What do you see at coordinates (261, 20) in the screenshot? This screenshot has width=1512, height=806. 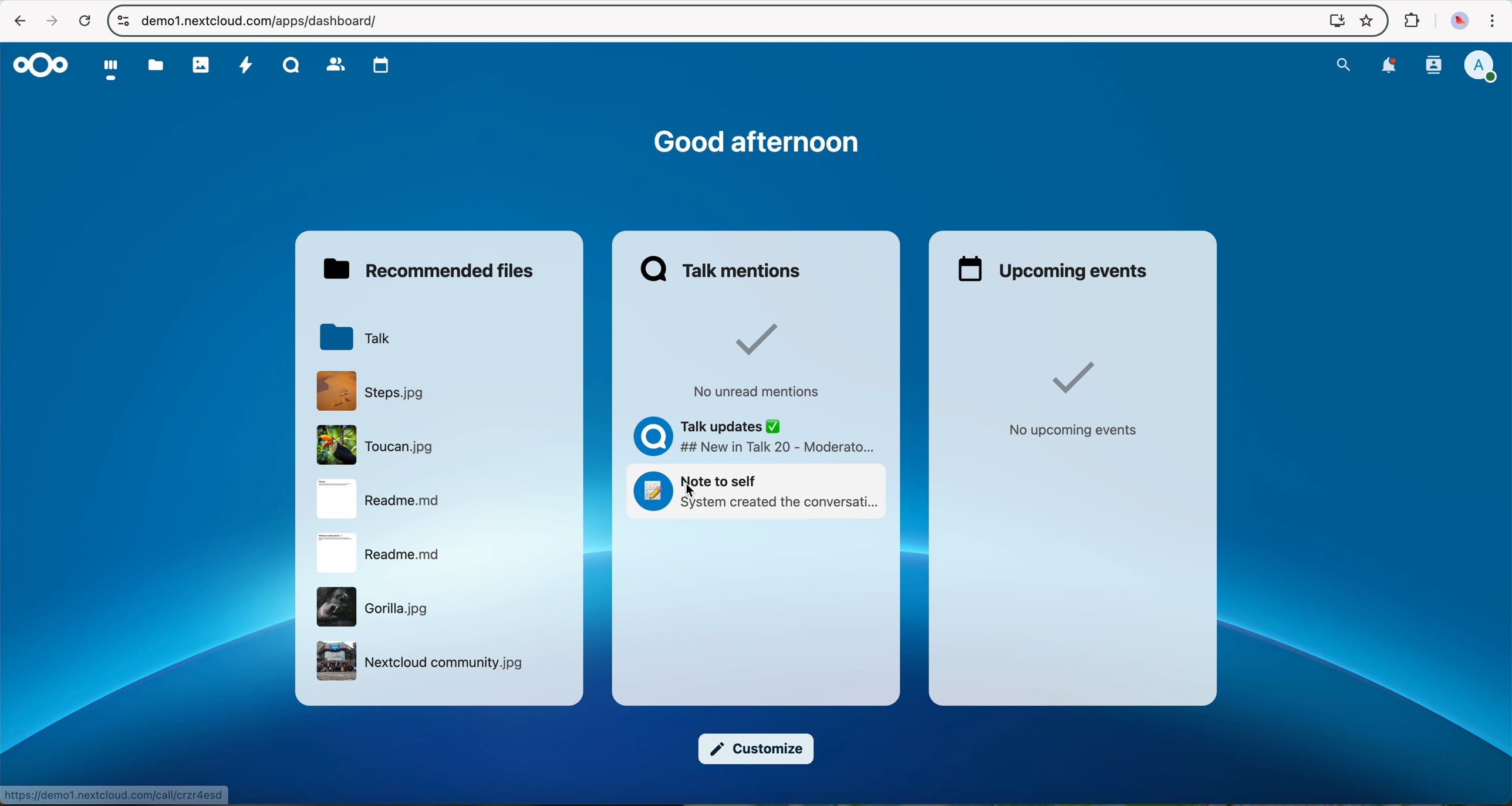 I see `URL` at bounding box center [261, 20].